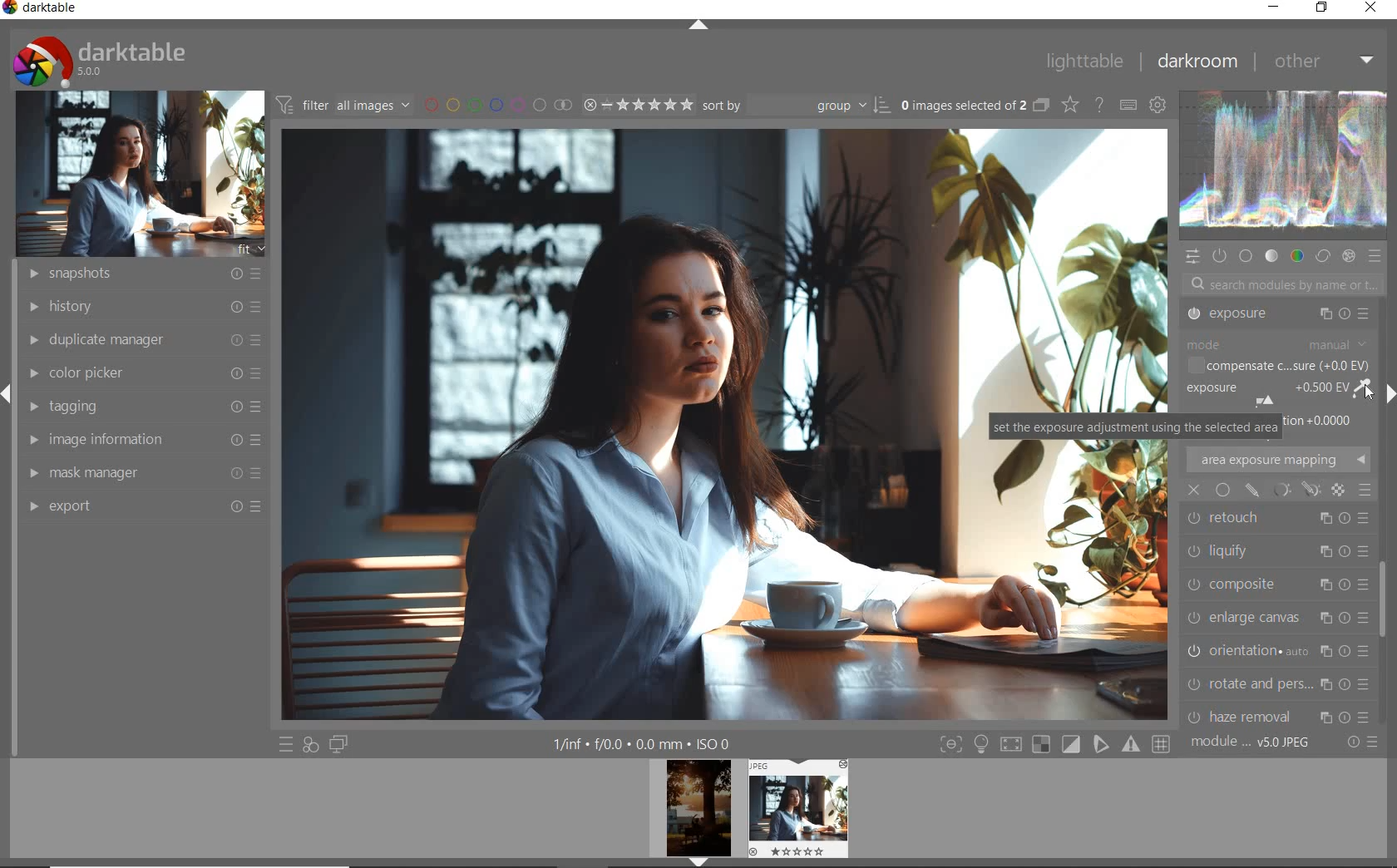  Describe the element at coordinates (1129, 106) in the screenshot. I see `DEFINE KEYBOARD SHORTCUT` at that location.